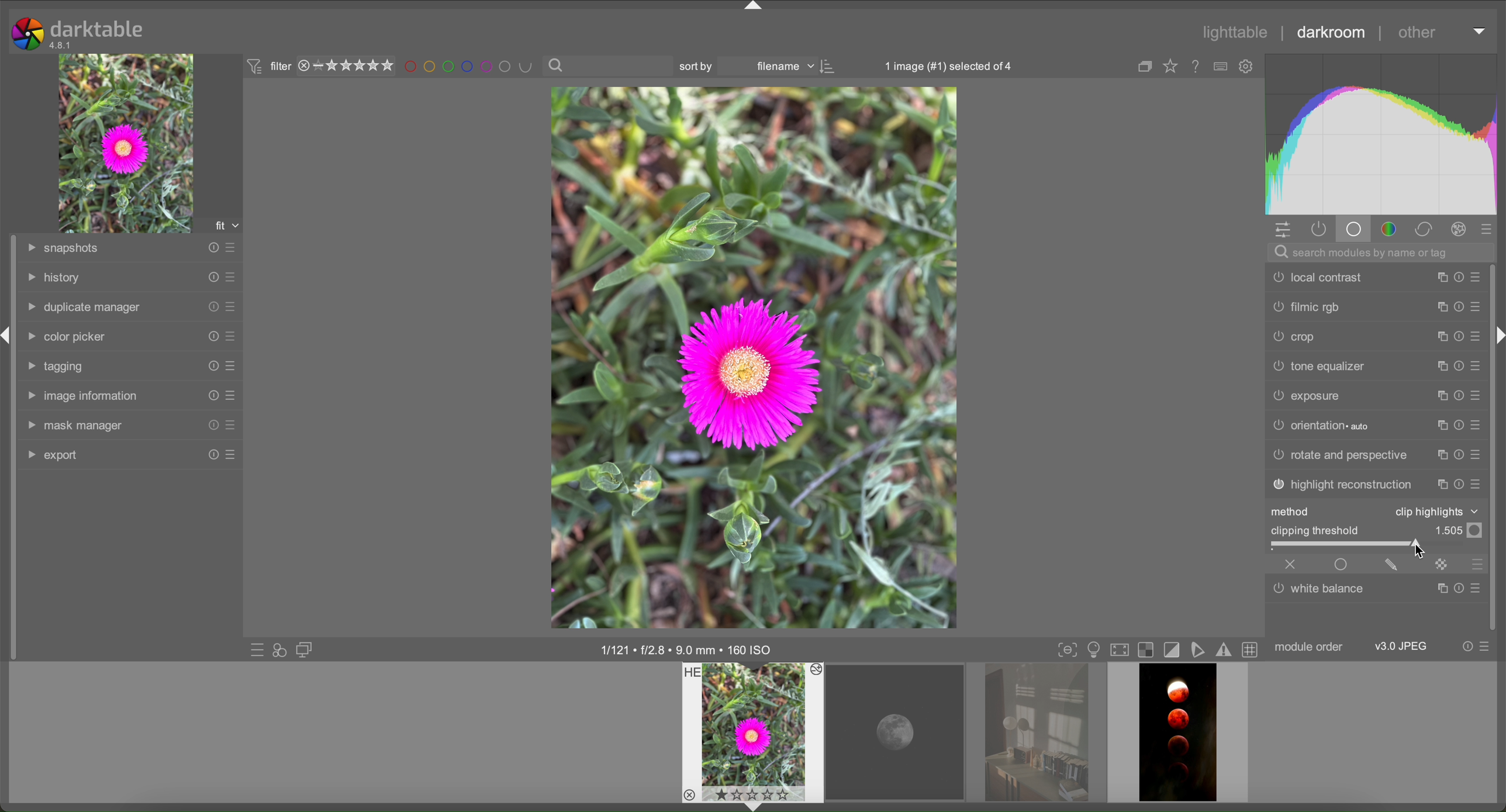 The width and height of the screenshot is (1506, 812). Describe the element at coordinates (1321, 592) in the screenshot. I see `white balance` at that location.